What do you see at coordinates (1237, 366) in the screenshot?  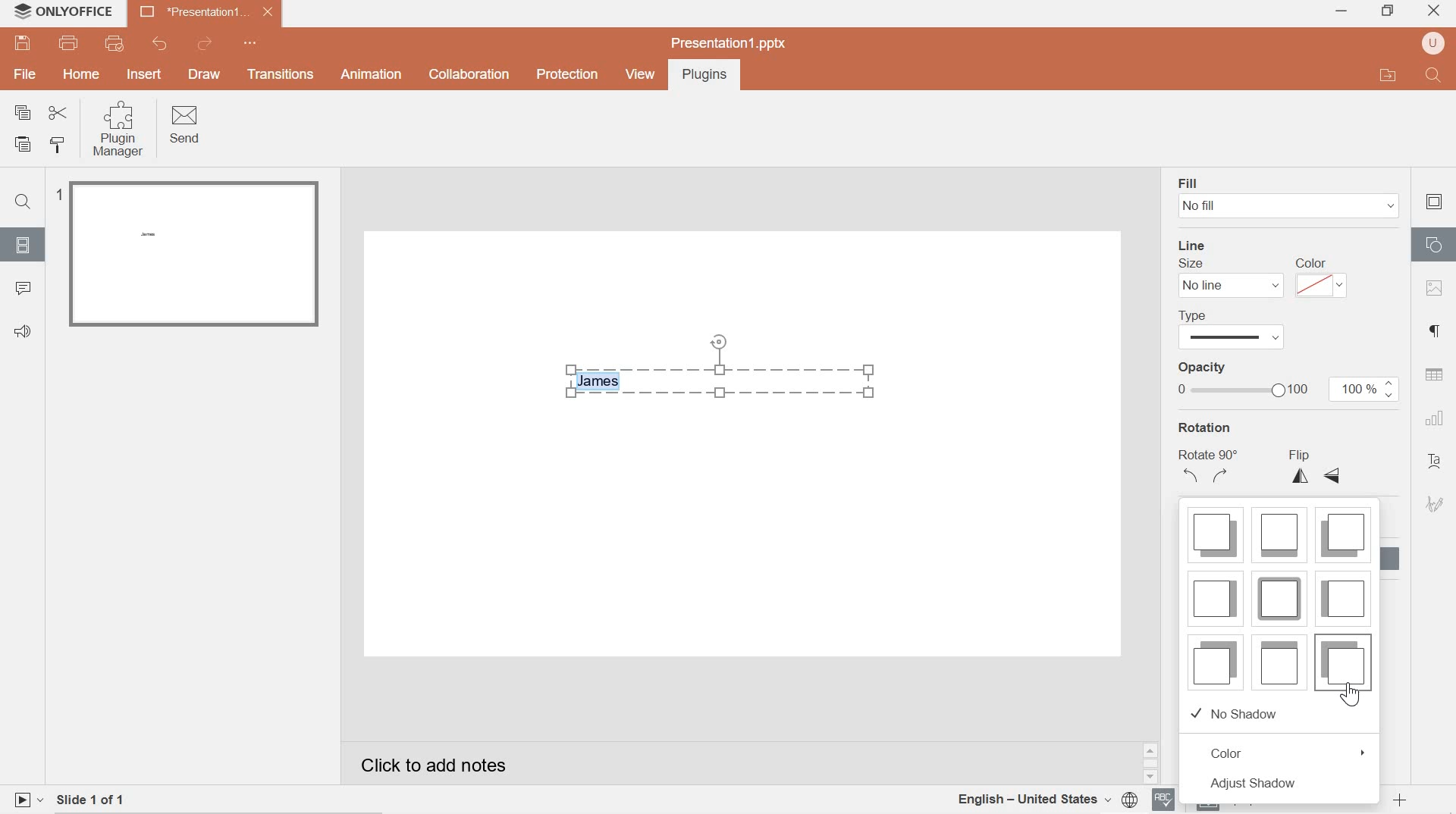 I see `opacity` at bounding box center [1237, 366].